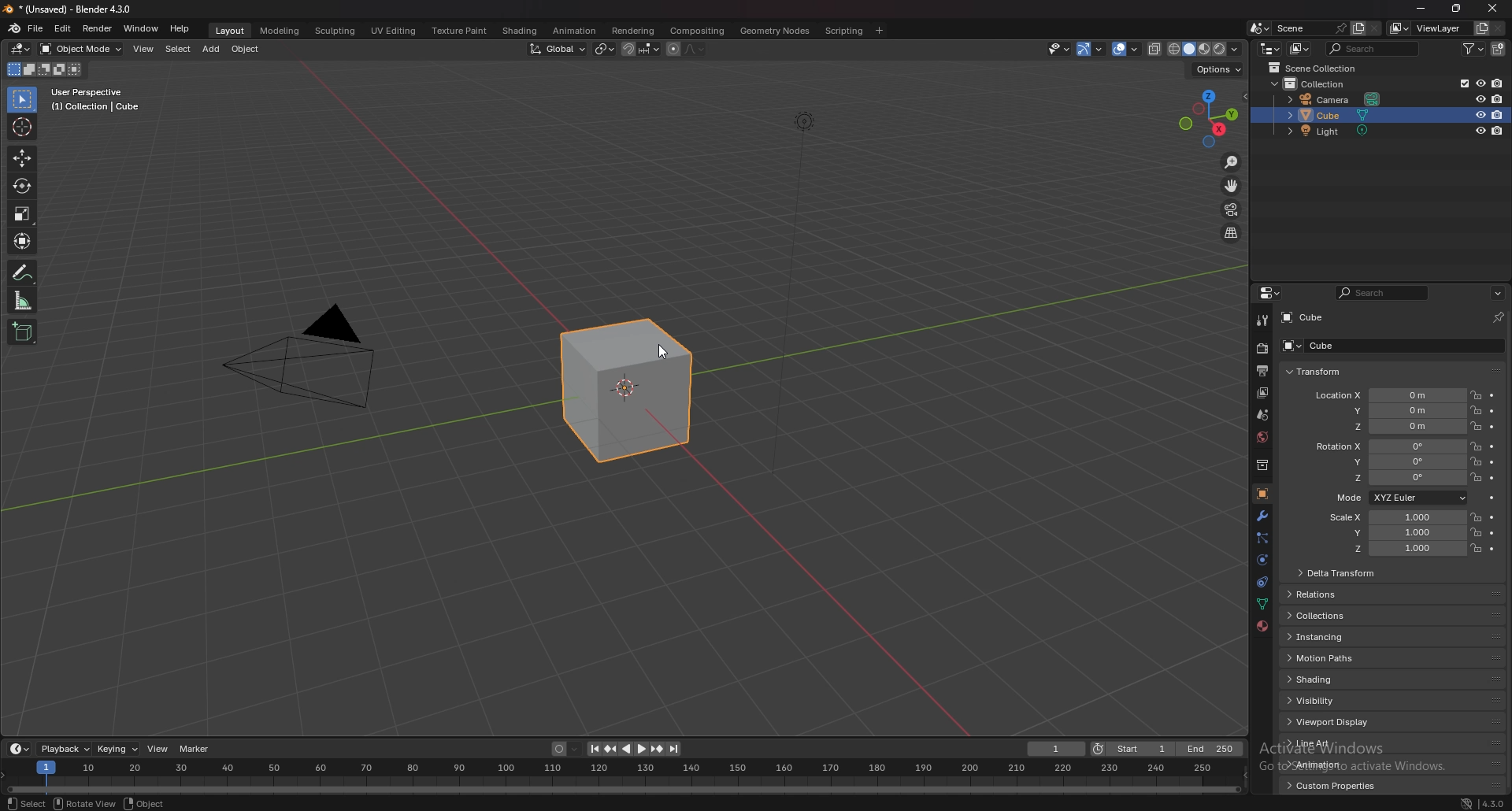 The image size is (1512, 811). Describe the element at coordinates (1480, 28) in the screenshot. I see `add view layer` at that location.